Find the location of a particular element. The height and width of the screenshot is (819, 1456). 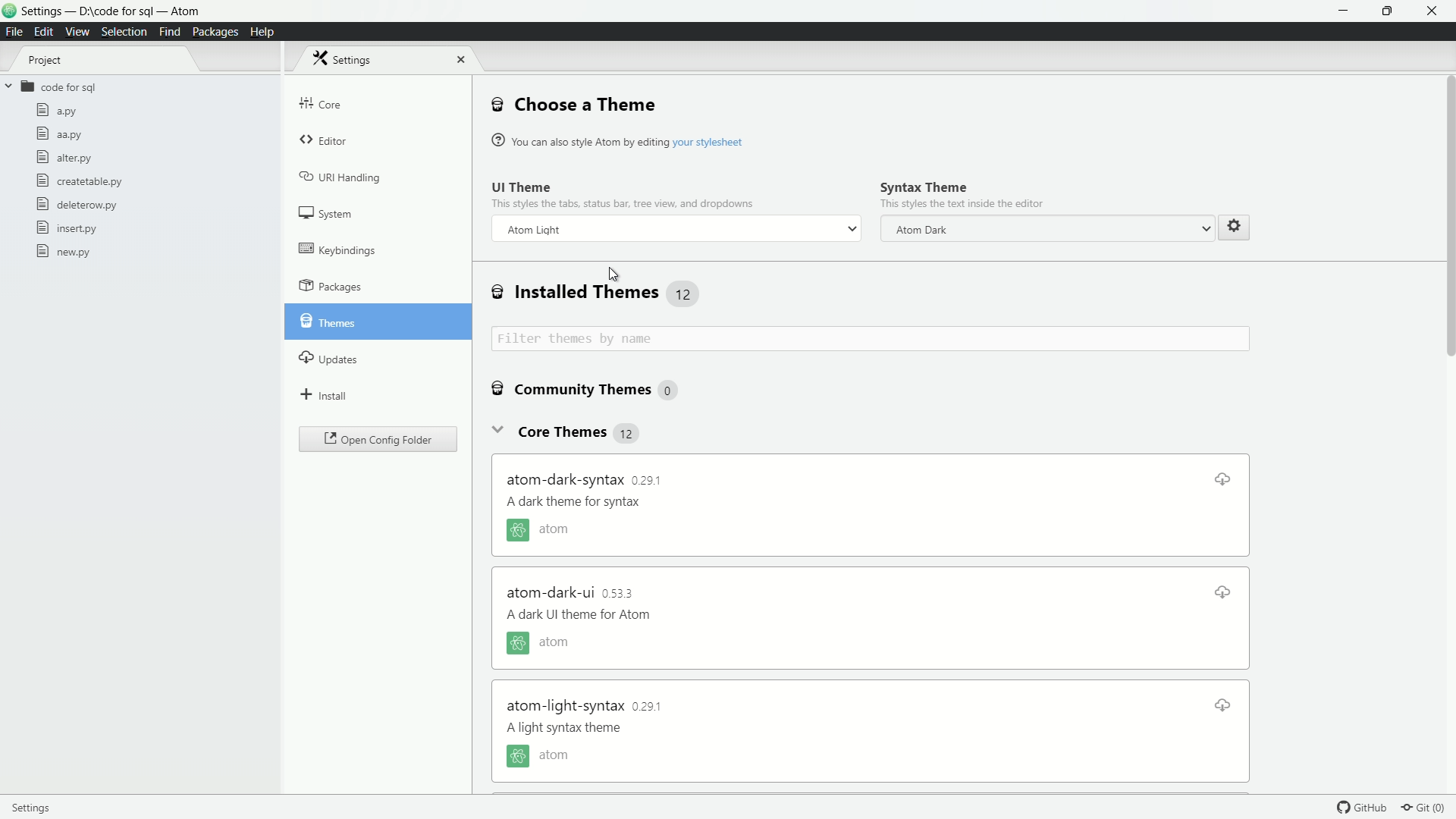

settings is located at coordinates (344, 57).